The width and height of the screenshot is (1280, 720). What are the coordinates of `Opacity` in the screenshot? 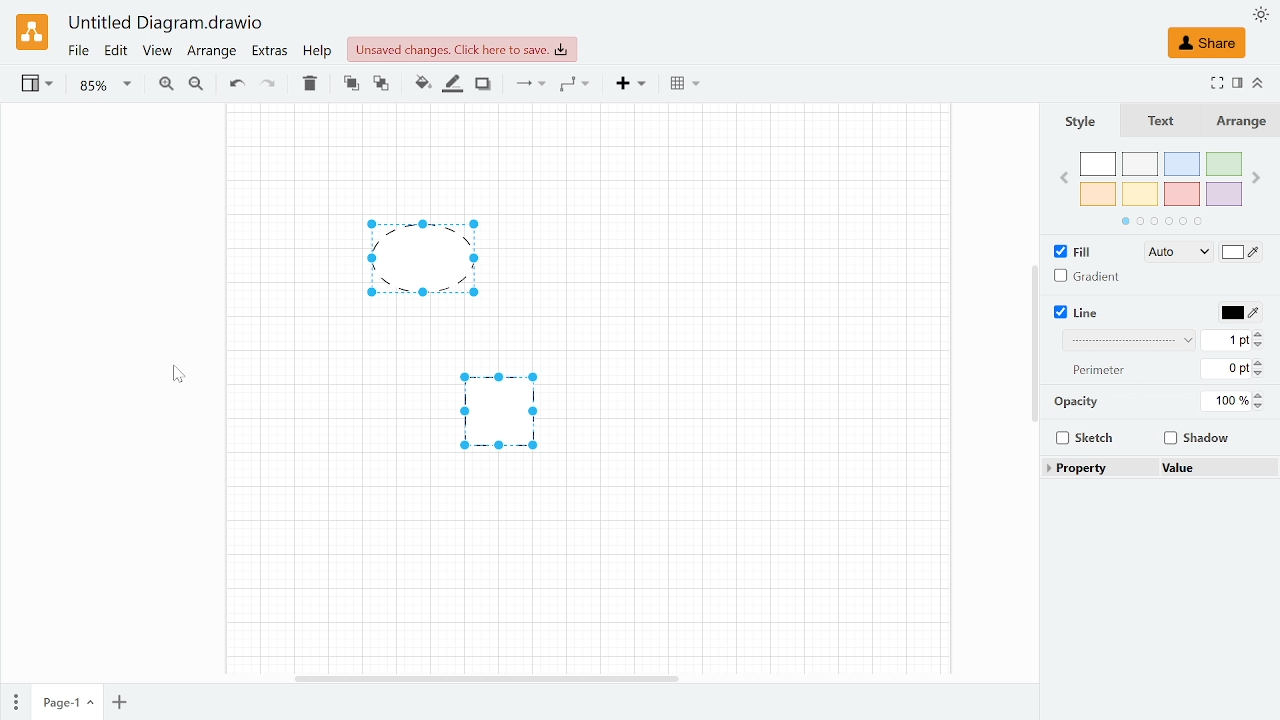 It's located at (1226, 401).